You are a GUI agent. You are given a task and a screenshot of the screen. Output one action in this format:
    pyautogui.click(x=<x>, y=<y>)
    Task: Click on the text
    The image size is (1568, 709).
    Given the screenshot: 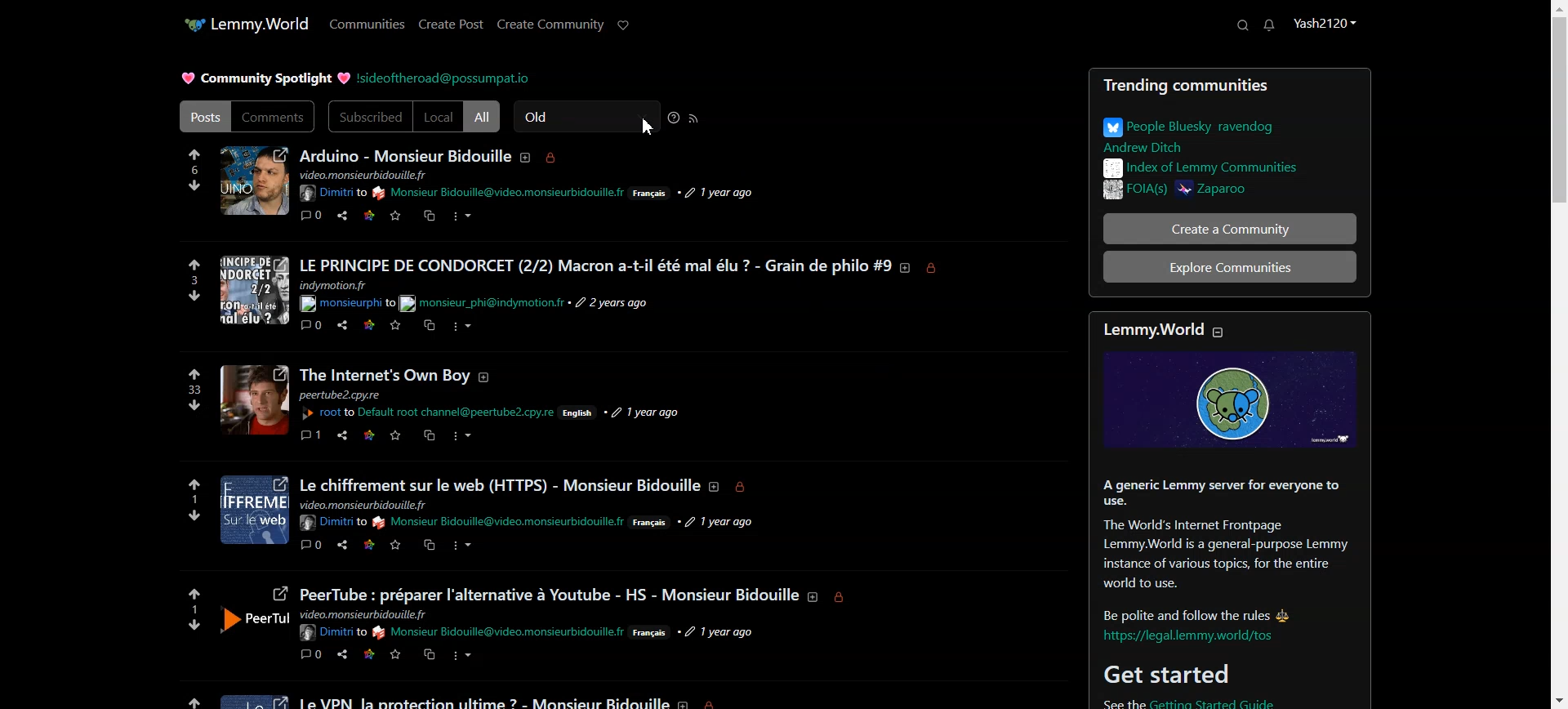 What is the action you would take?
    pyautogui.click(x=498, y=522)
    